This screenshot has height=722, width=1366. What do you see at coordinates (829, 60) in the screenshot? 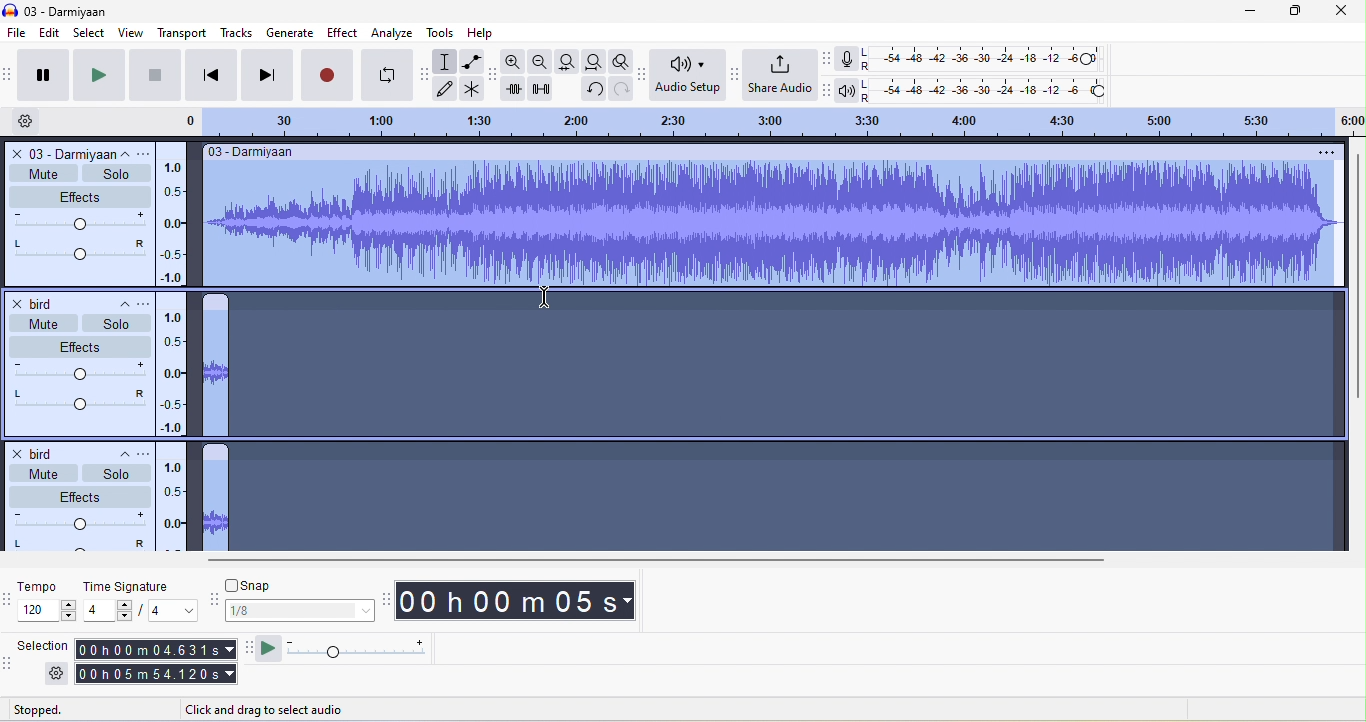
I see `audacity recording meter toolbar` at bounding box center [829, 60].